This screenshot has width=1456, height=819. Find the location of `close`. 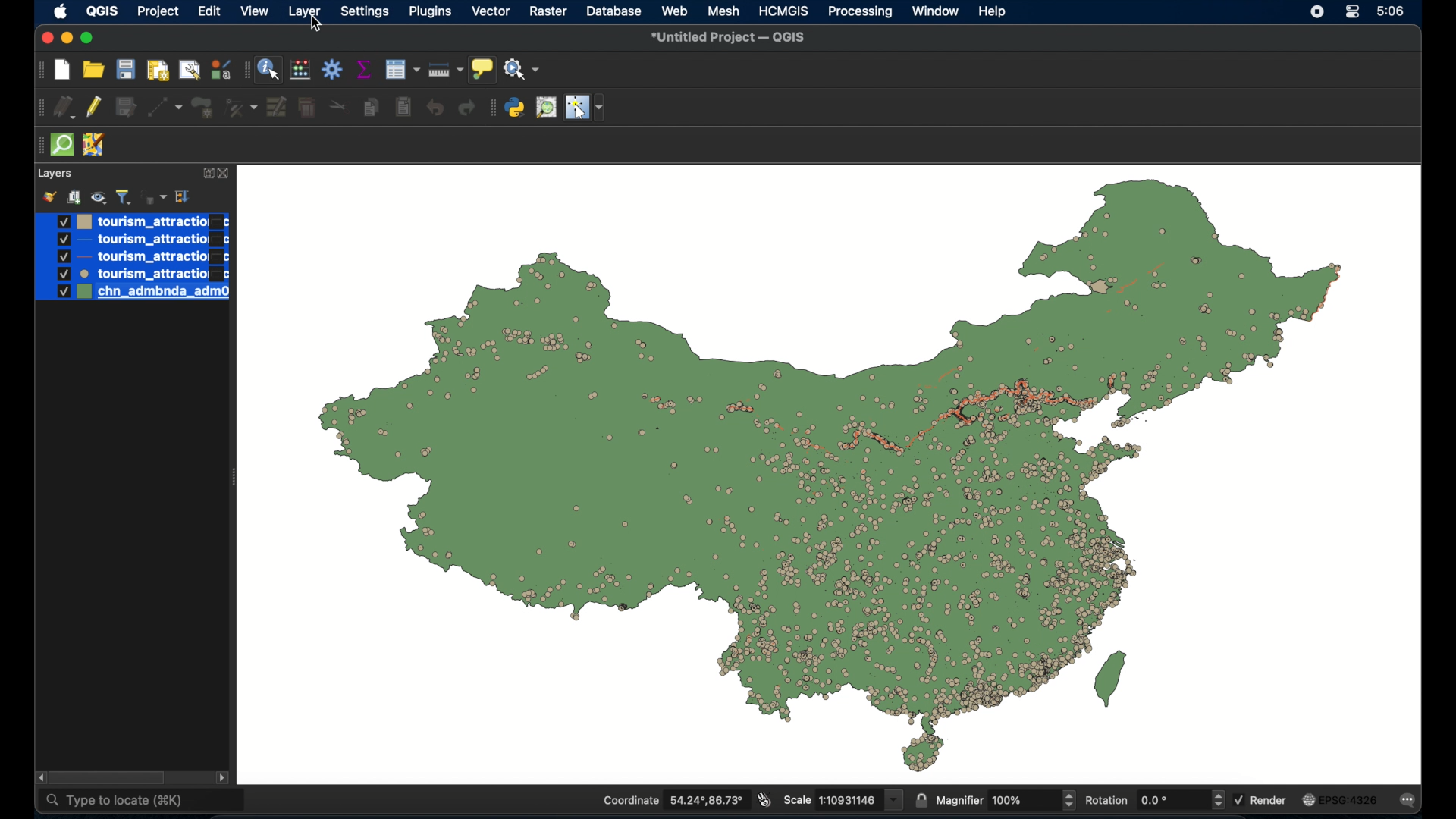

close is located at coordinates (45, 38).